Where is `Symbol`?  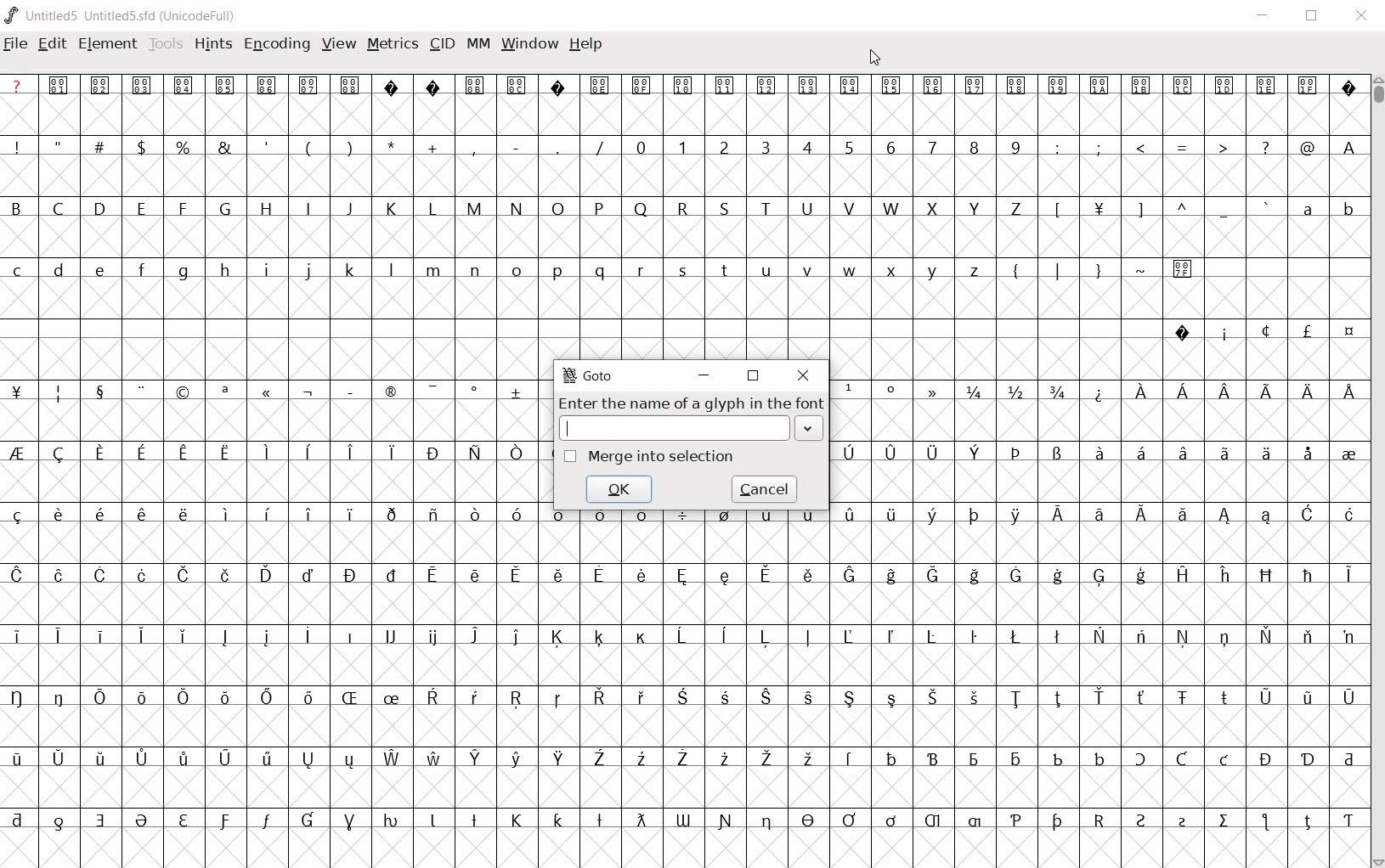
Symbol is located at coordinates (1015, 821).